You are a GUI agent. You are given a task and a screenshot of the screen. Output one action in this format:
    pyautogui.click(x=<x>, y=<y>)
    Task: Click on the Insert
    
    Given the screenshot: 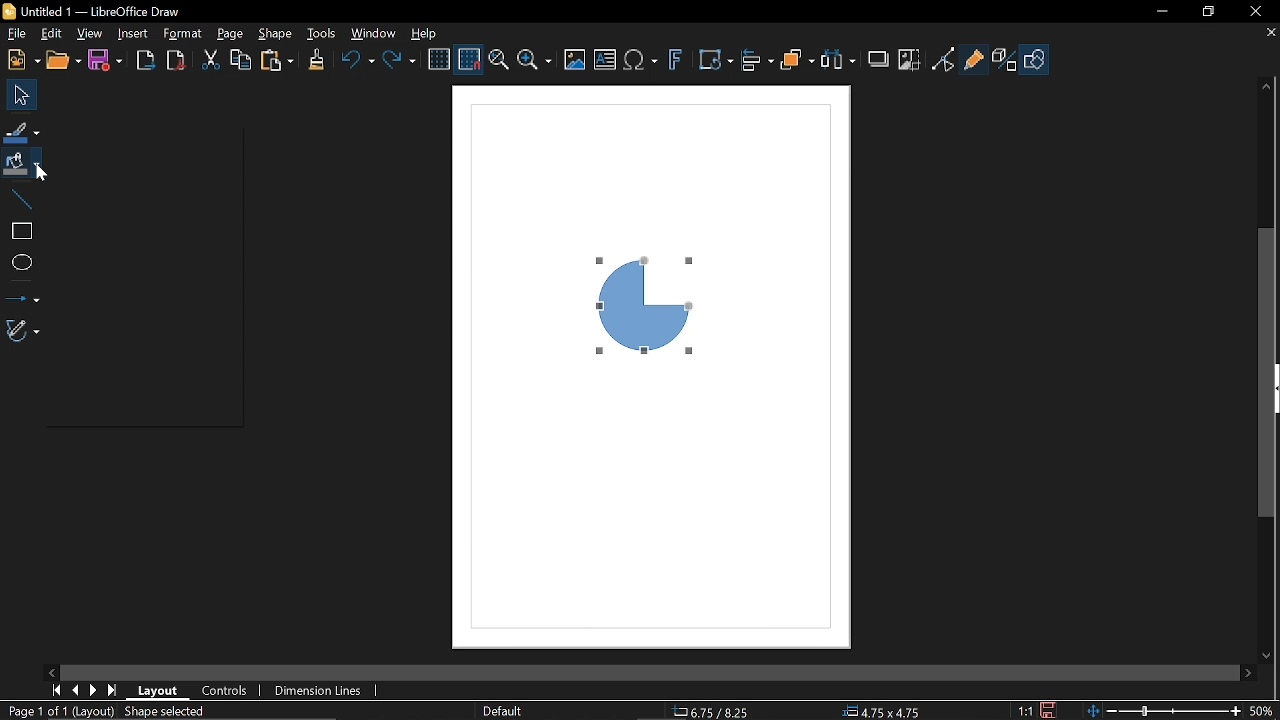 What is the action you would take?
    pyautogui.click(x=133, y=33)
    